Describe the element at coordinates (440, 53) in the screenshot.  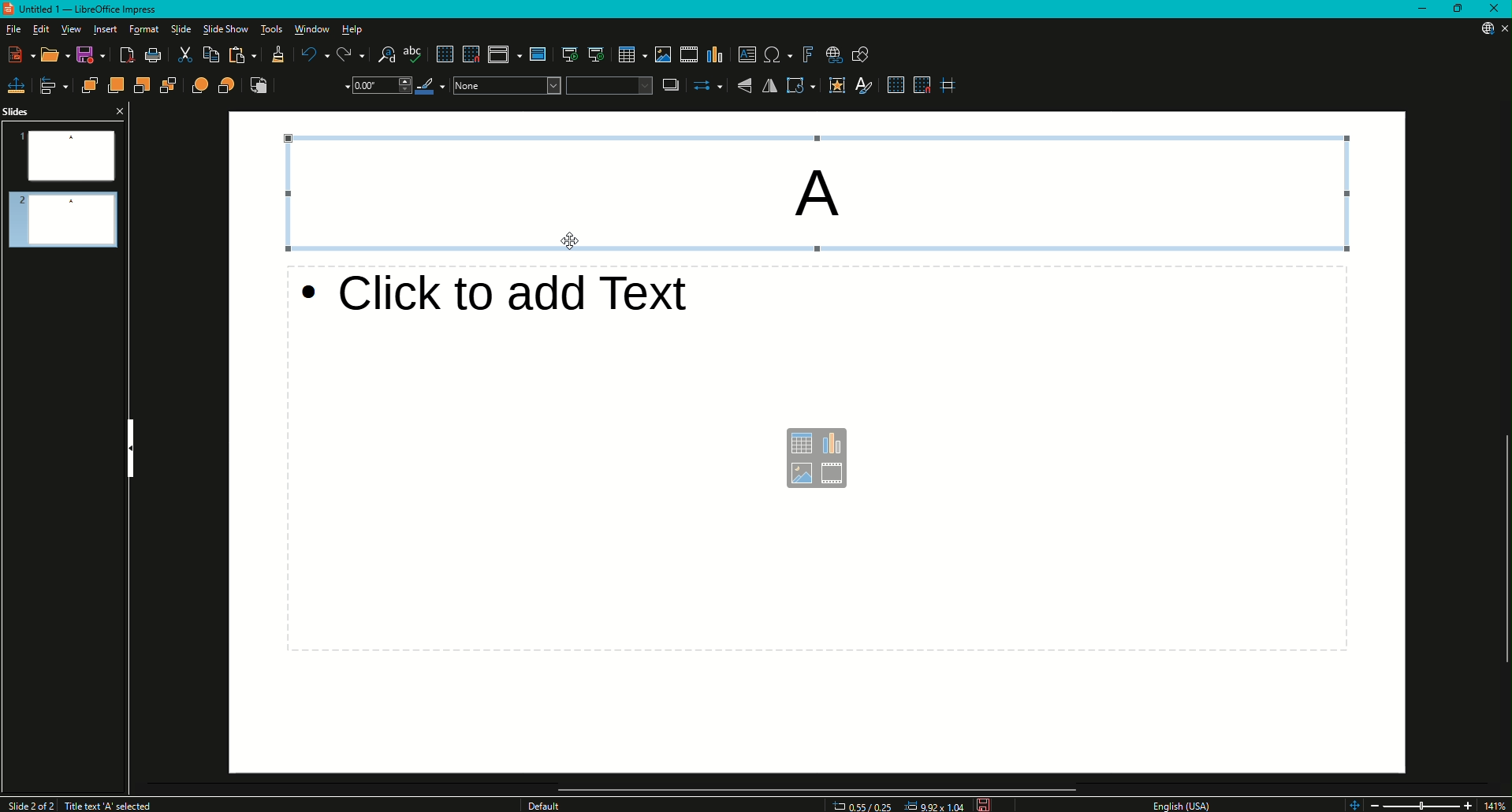
I see `Display Grid` at that location.